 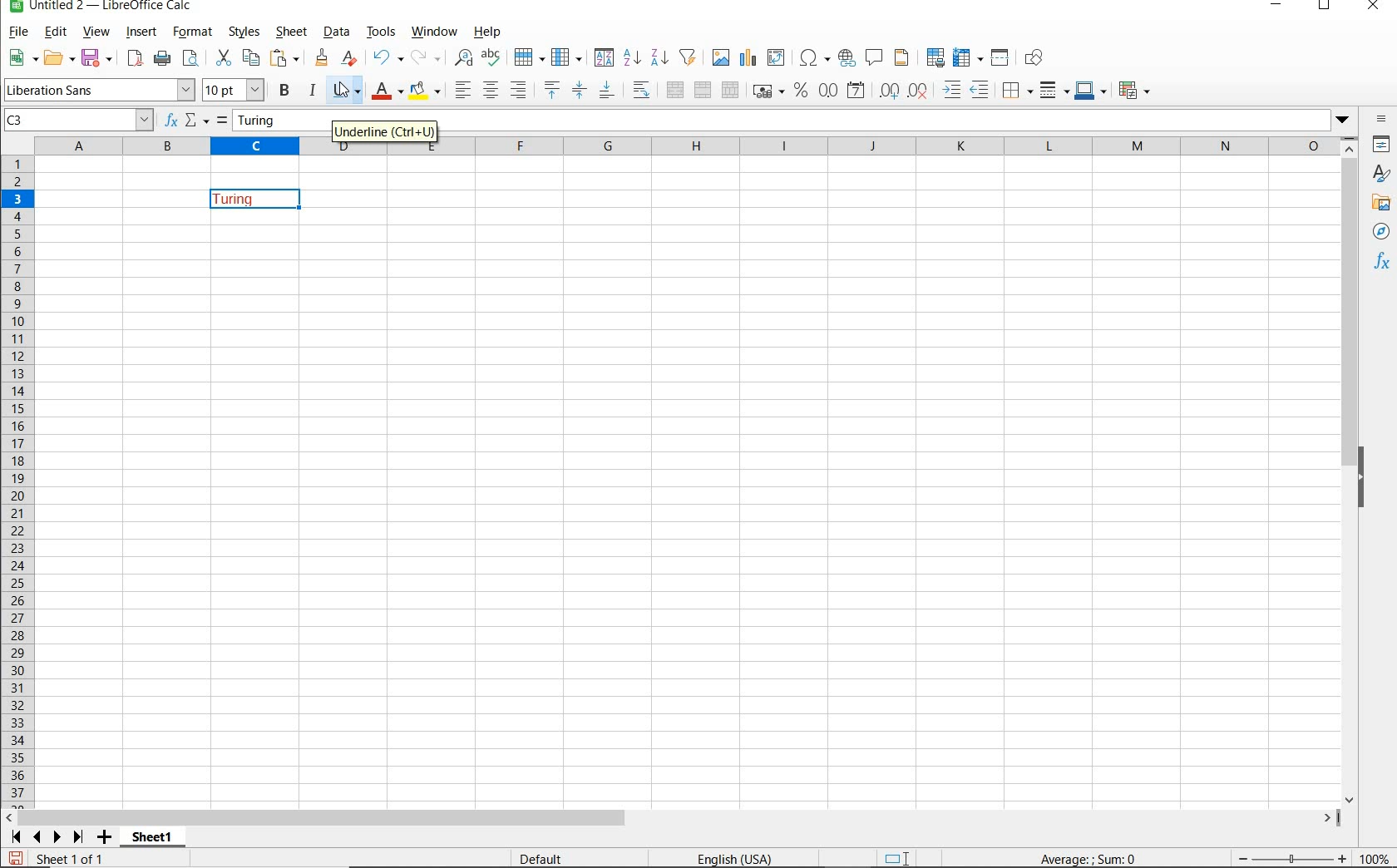 I want to click on PASTE, so click(x=285, y=60).